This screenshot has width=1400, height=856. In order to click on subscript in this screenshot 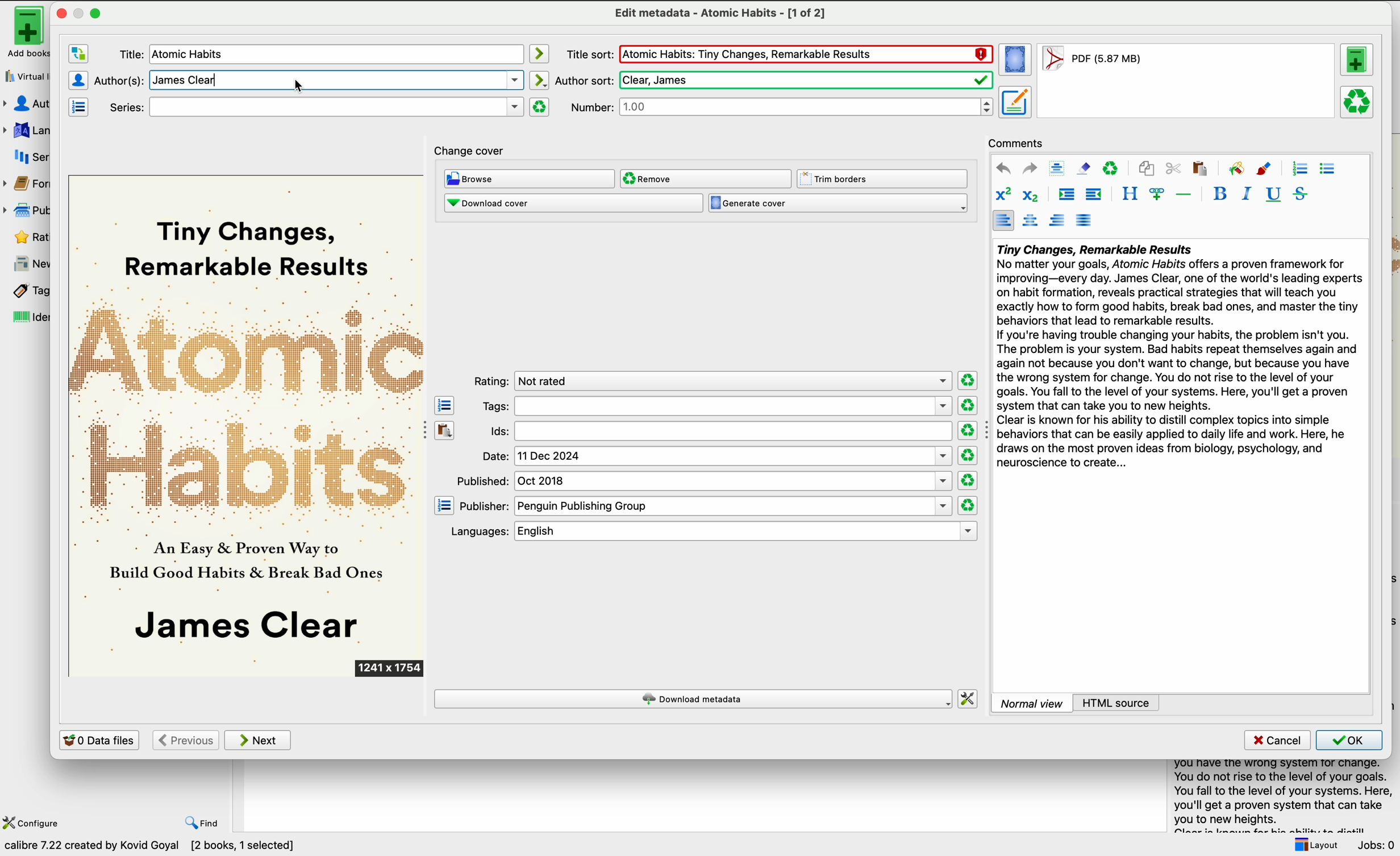, I will do `click(1033, 195)`.